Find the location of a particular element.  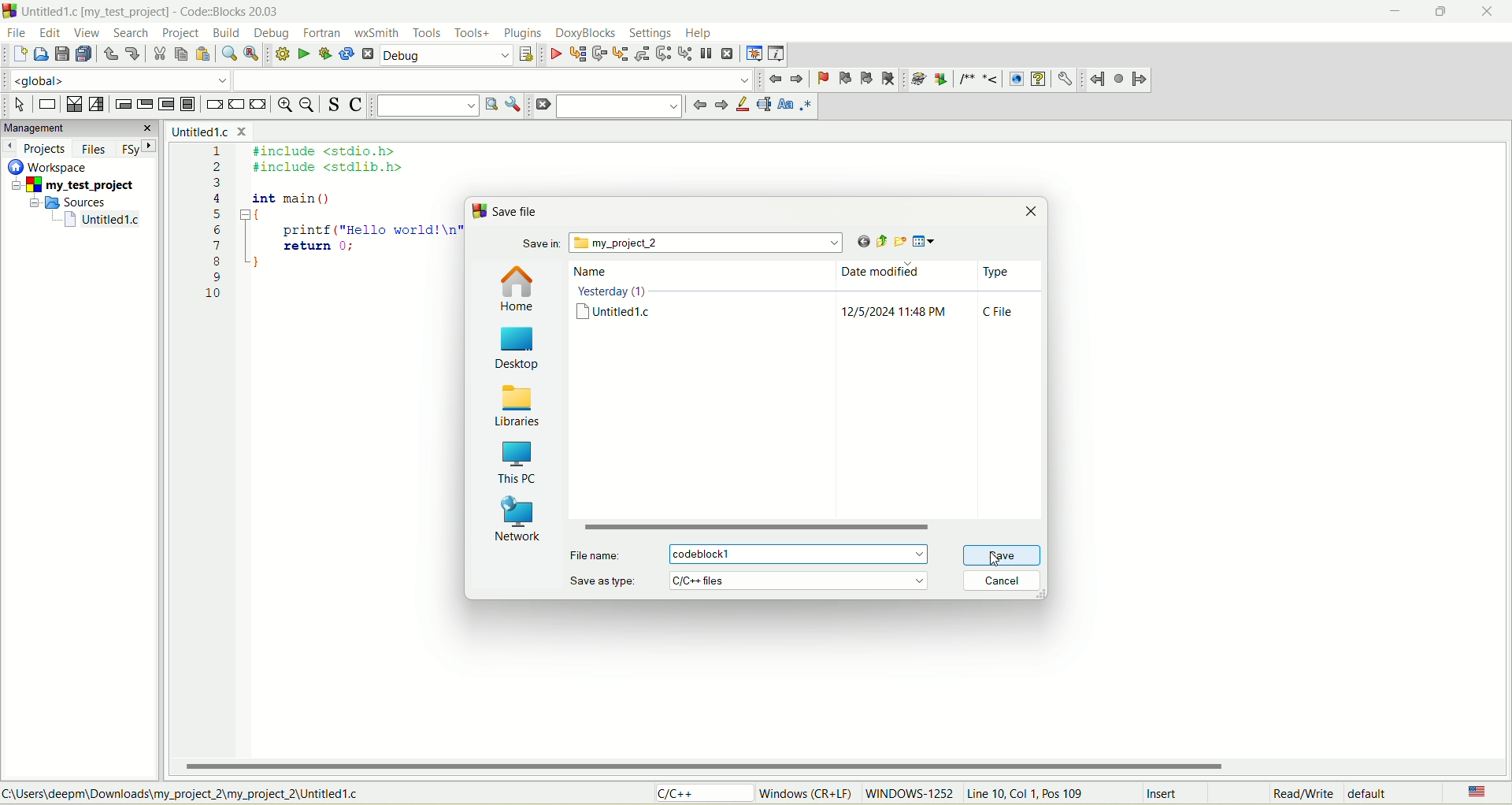

help is located at coordinates (699, 34).